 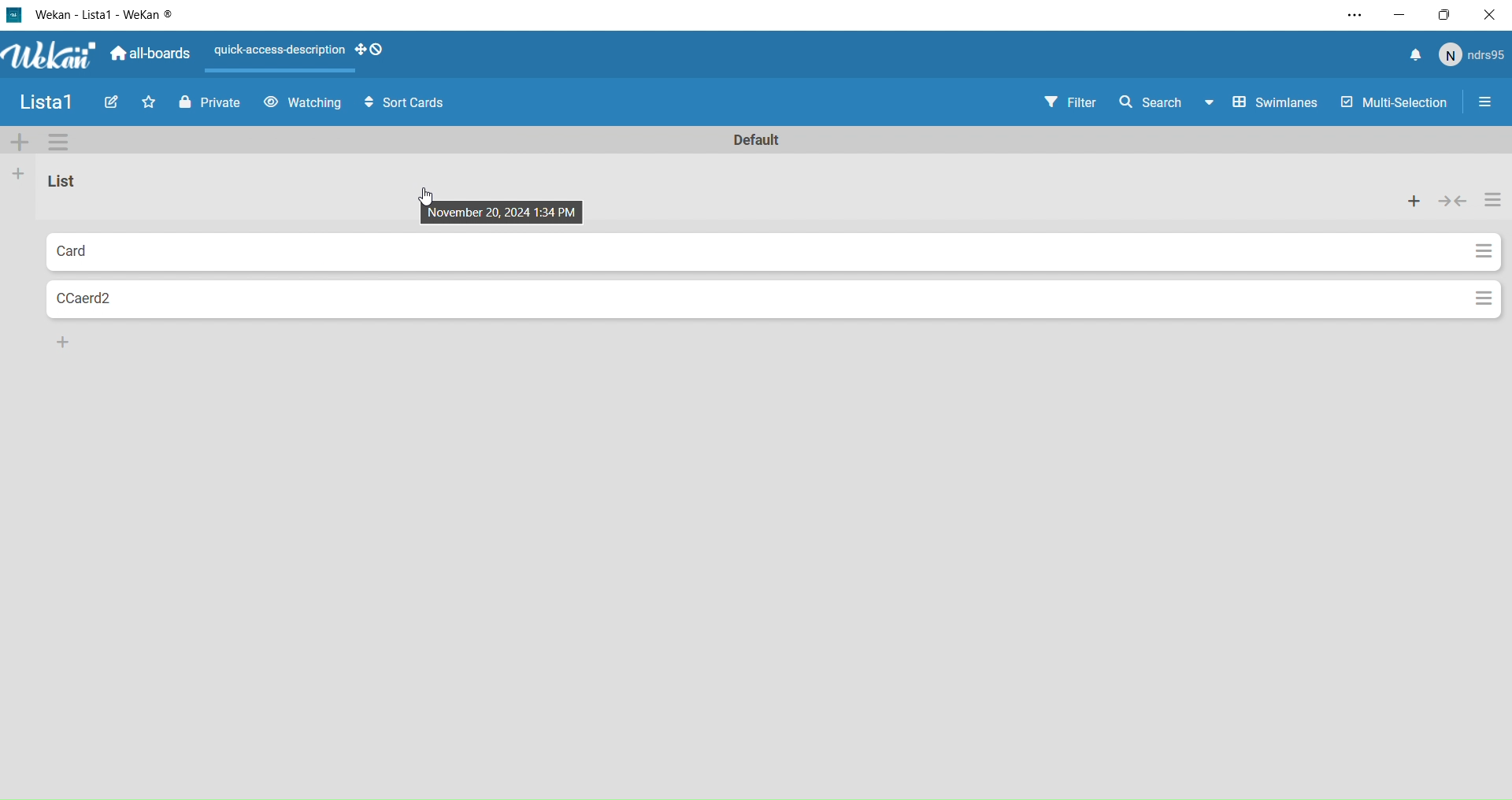 I want to click on Add, so click(x=1414, y=201).